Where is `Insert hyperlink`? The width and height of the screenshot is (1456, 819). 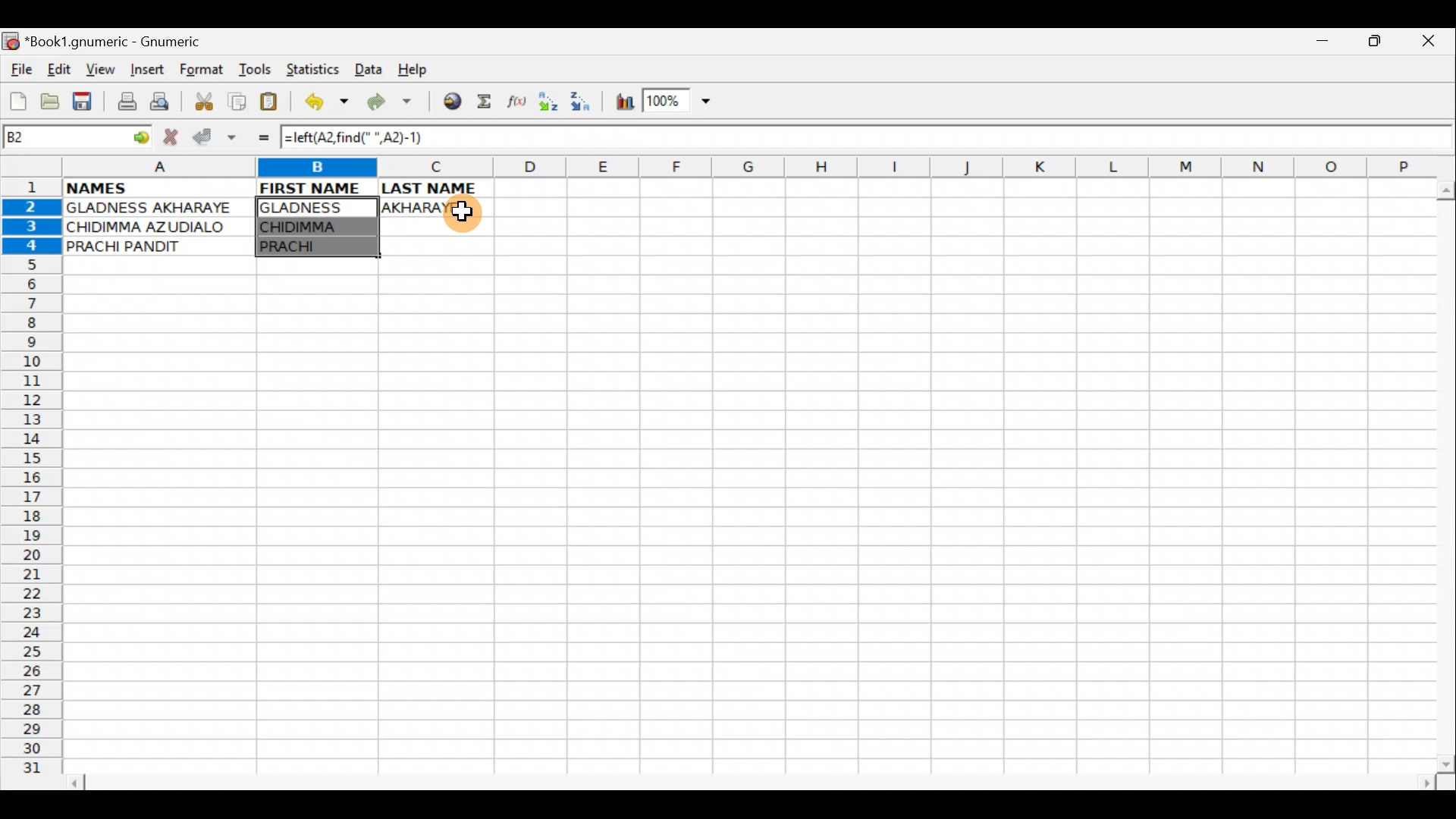
Insert hyperlink is located at coordinates (450, 102).